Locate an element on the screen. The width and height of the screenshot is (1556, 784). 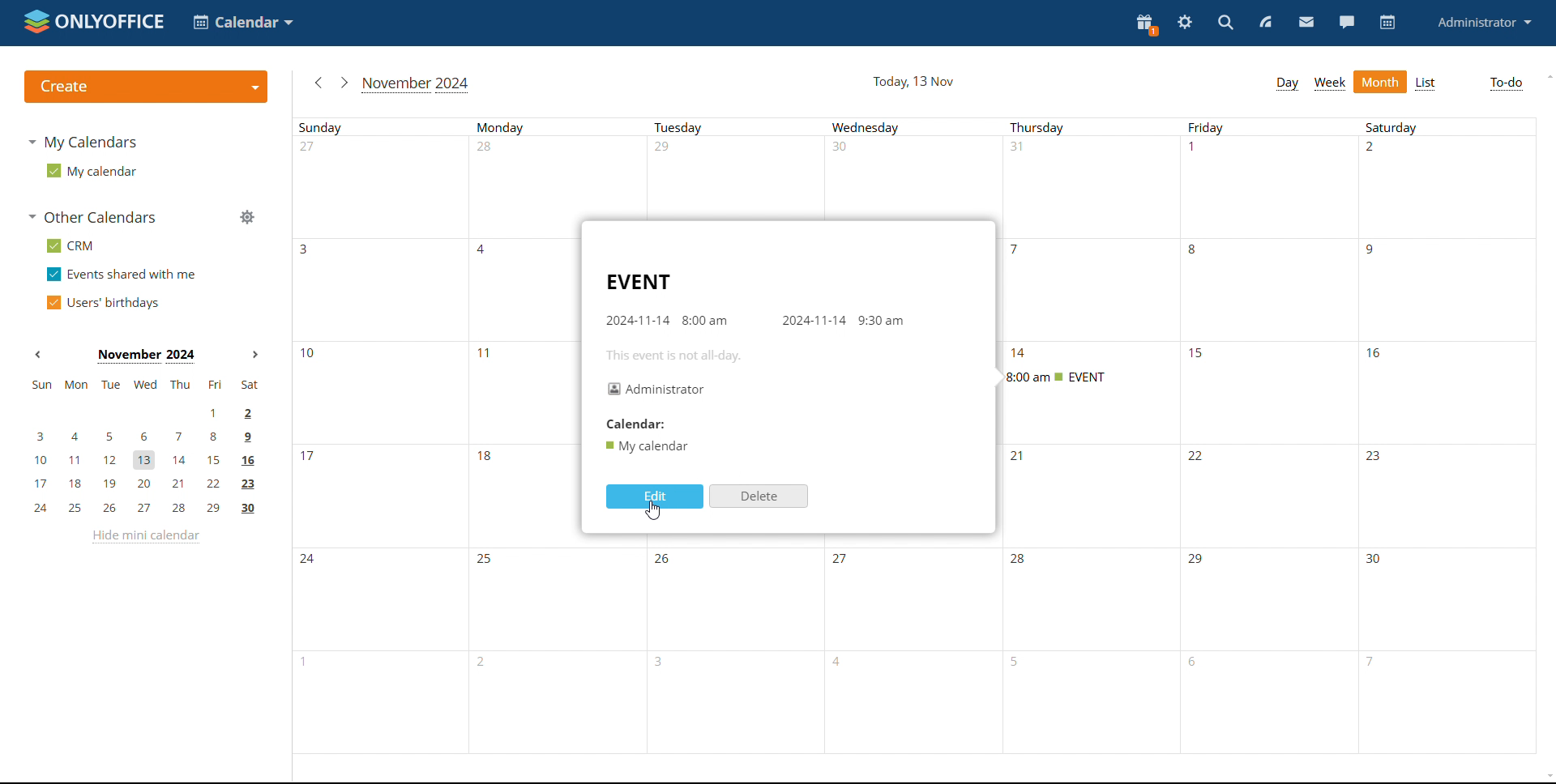
start time is located at coordinates (705, 320).